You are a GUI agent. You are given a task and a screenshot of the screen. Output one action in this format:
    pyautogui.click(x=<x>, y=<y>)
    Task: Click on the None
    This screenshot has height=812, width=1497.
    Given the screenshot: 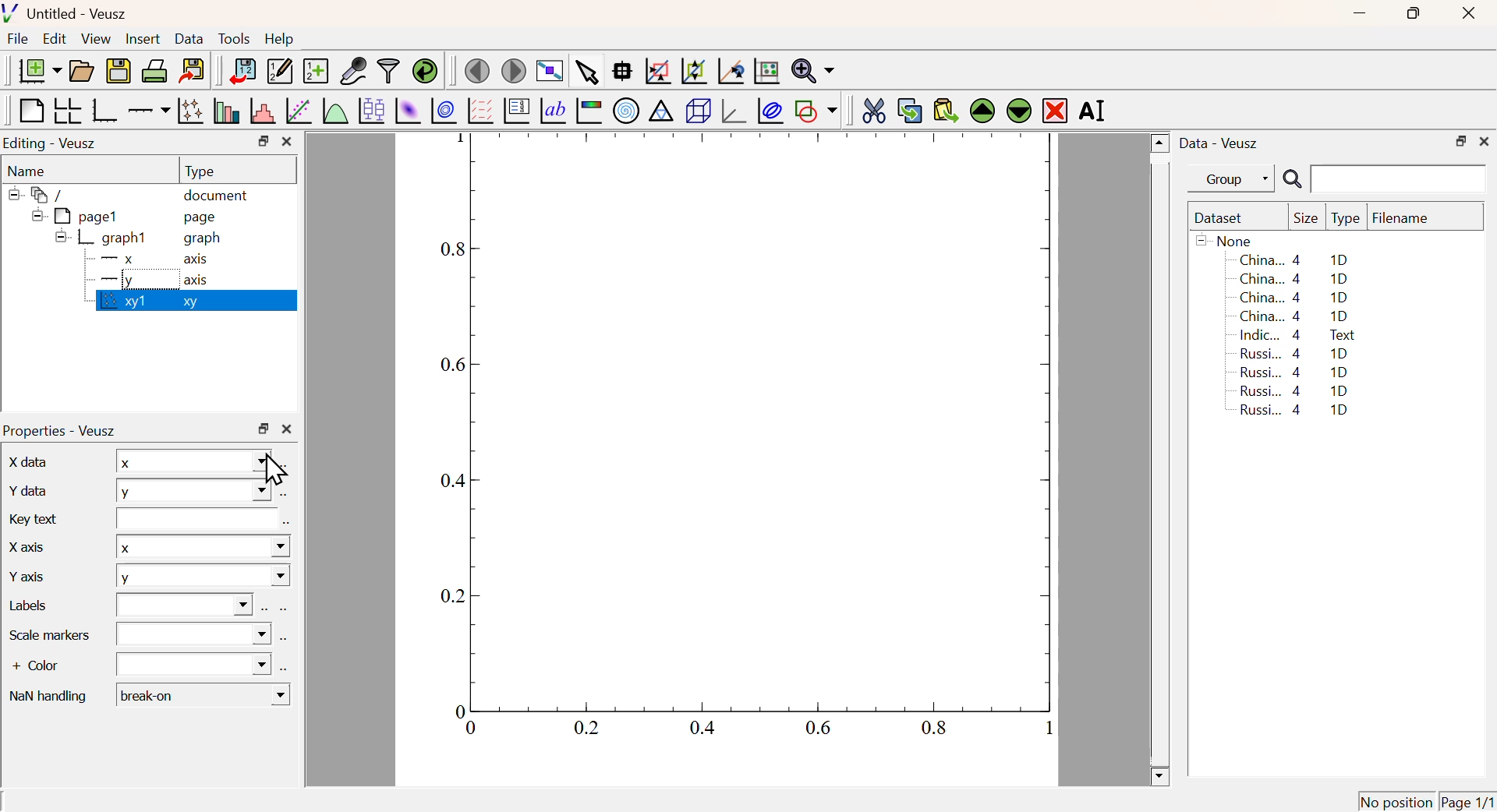 What is the action you would take?
    pyautogui.click(x=1226, y=240)
    